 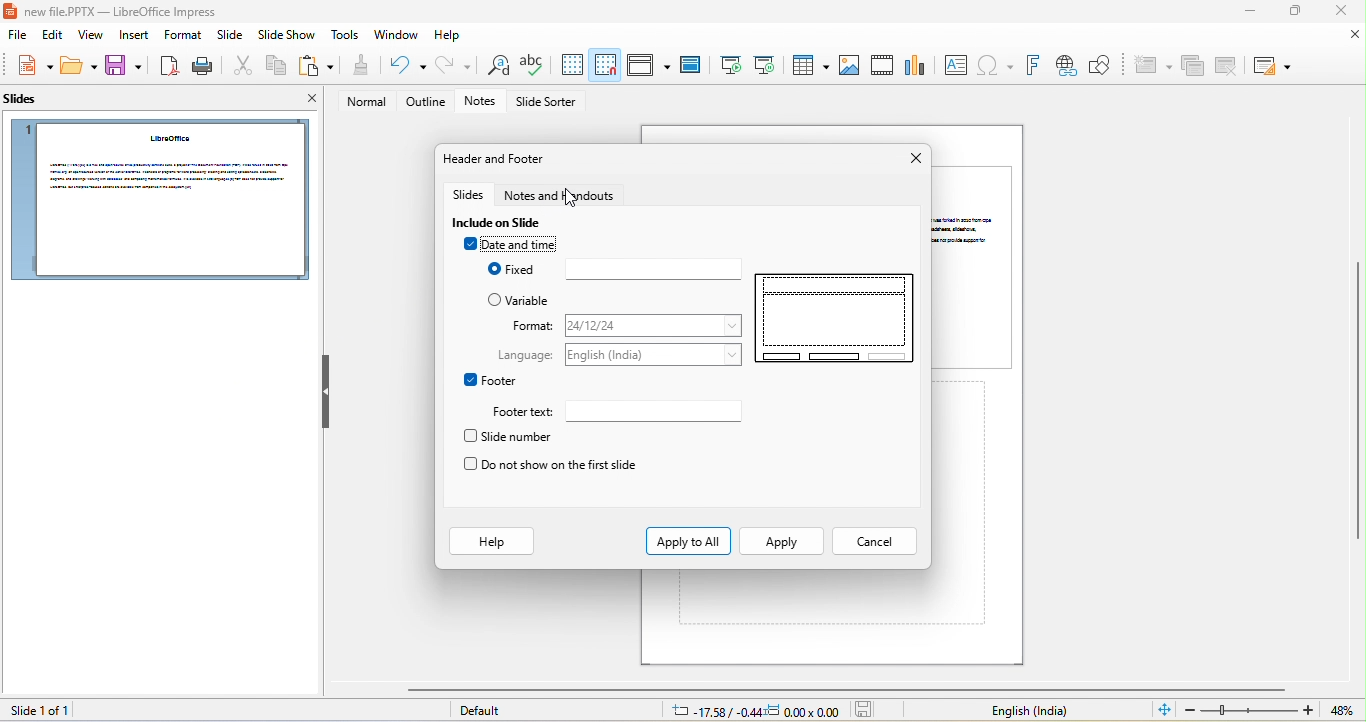 What do you see at coordinates (654, 355) in the screenshot?
I see `language` at bounding box center [654, 355].